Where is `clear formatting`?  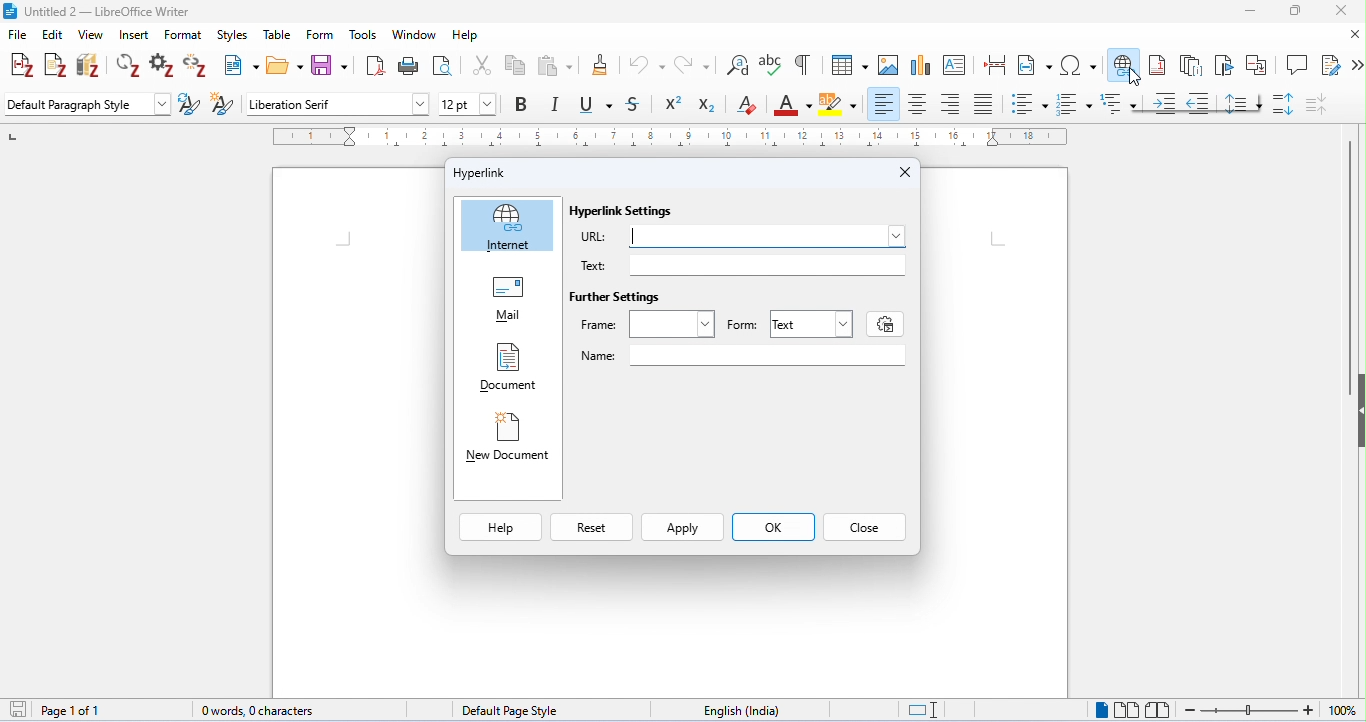 clear formatting is located at coordinates (748, 105).